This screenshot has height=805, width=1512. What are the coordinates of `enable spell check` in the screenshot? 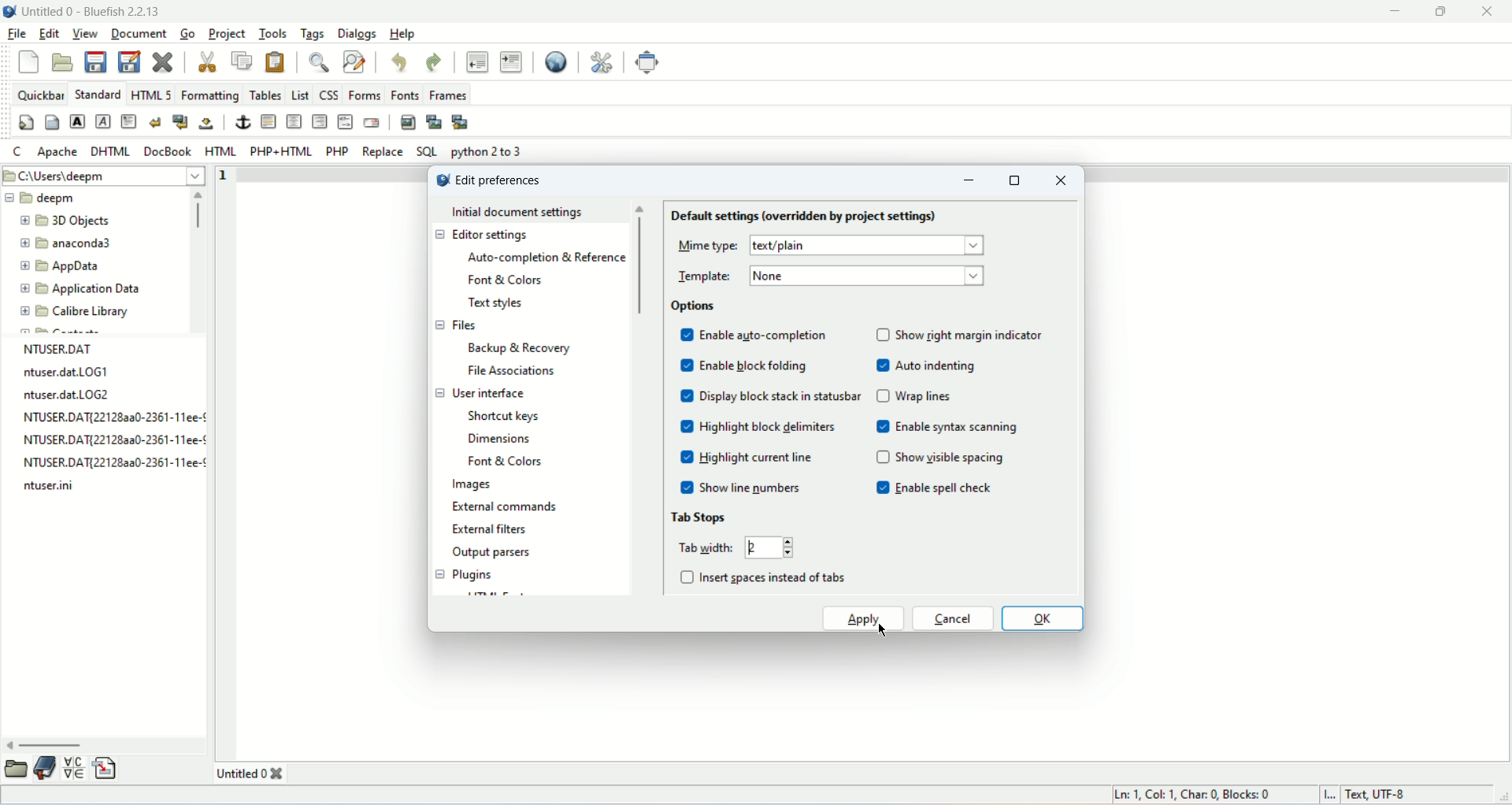 It's located at (947, 491).